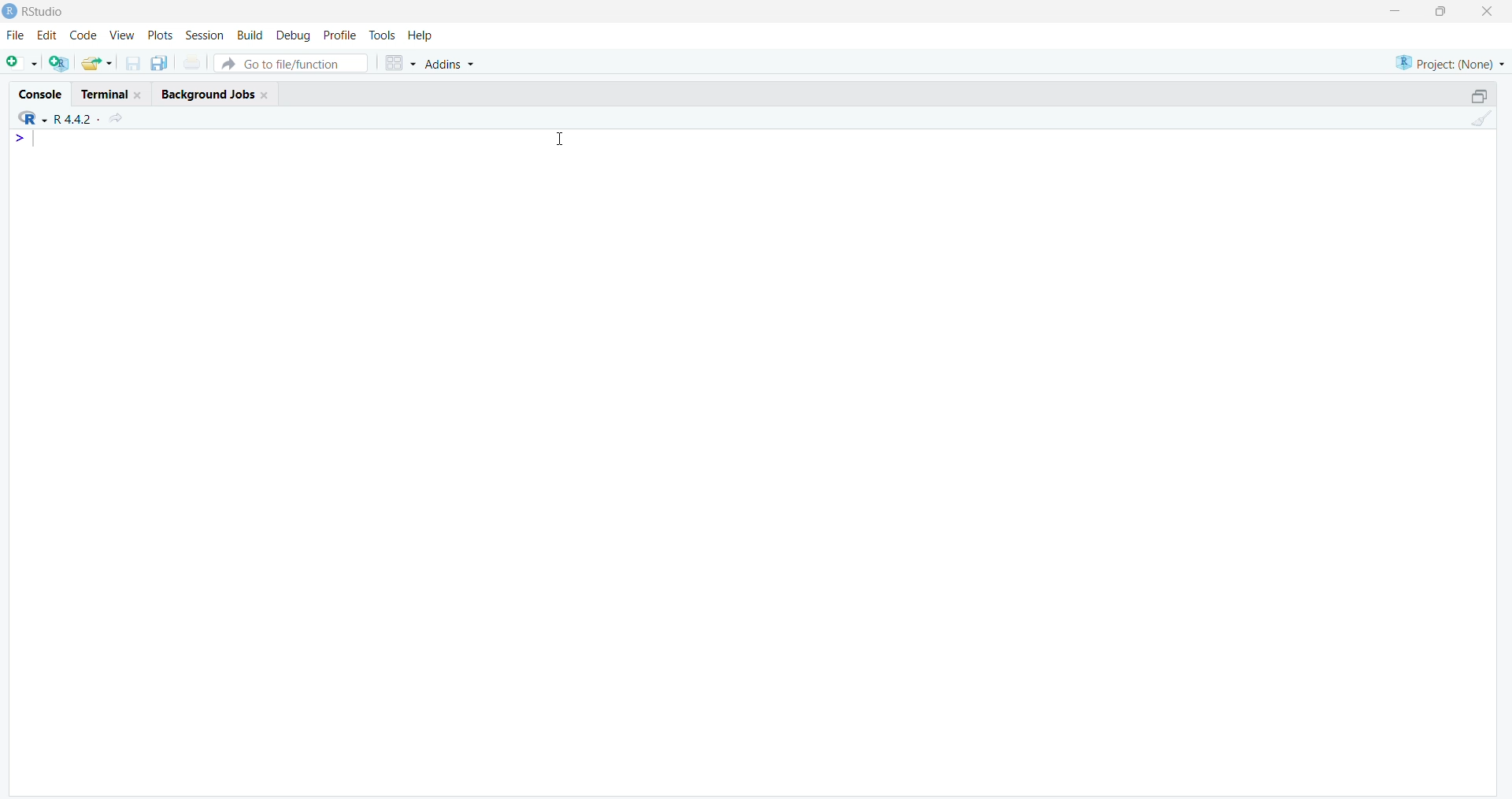 Image resolution: width=1512 pixels, height=799 pixels. Describe the element at coordinates (1484, 14) in the screenshot. I see `Close` at that location.